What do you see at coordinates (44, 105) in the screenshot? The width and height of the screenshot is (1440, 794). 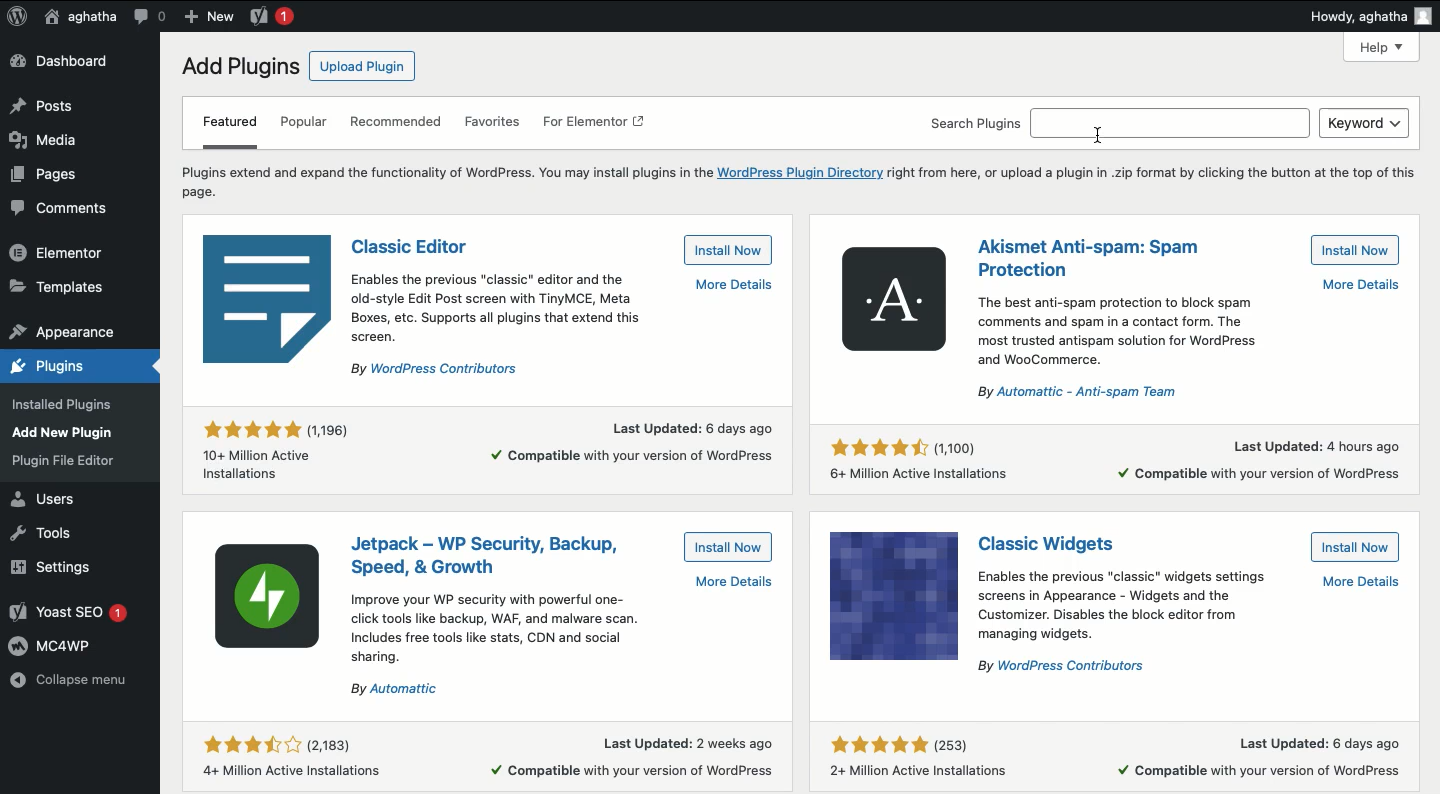 I see `Posts` at bounding box center [44, 105].